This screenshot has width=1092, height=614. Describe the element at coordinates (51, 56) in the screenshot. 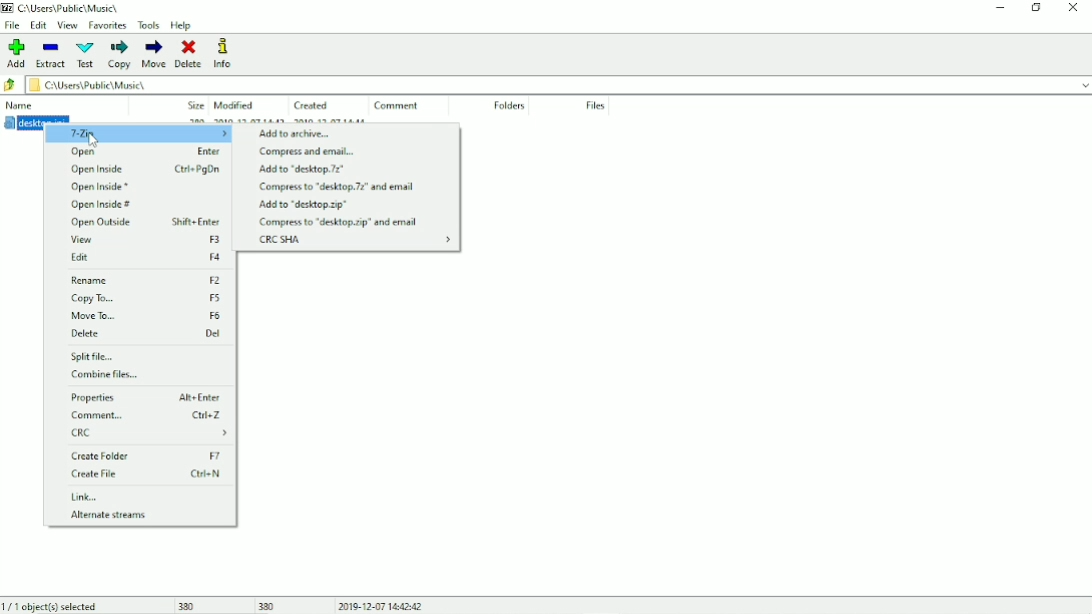

I see `Extract` at that location.